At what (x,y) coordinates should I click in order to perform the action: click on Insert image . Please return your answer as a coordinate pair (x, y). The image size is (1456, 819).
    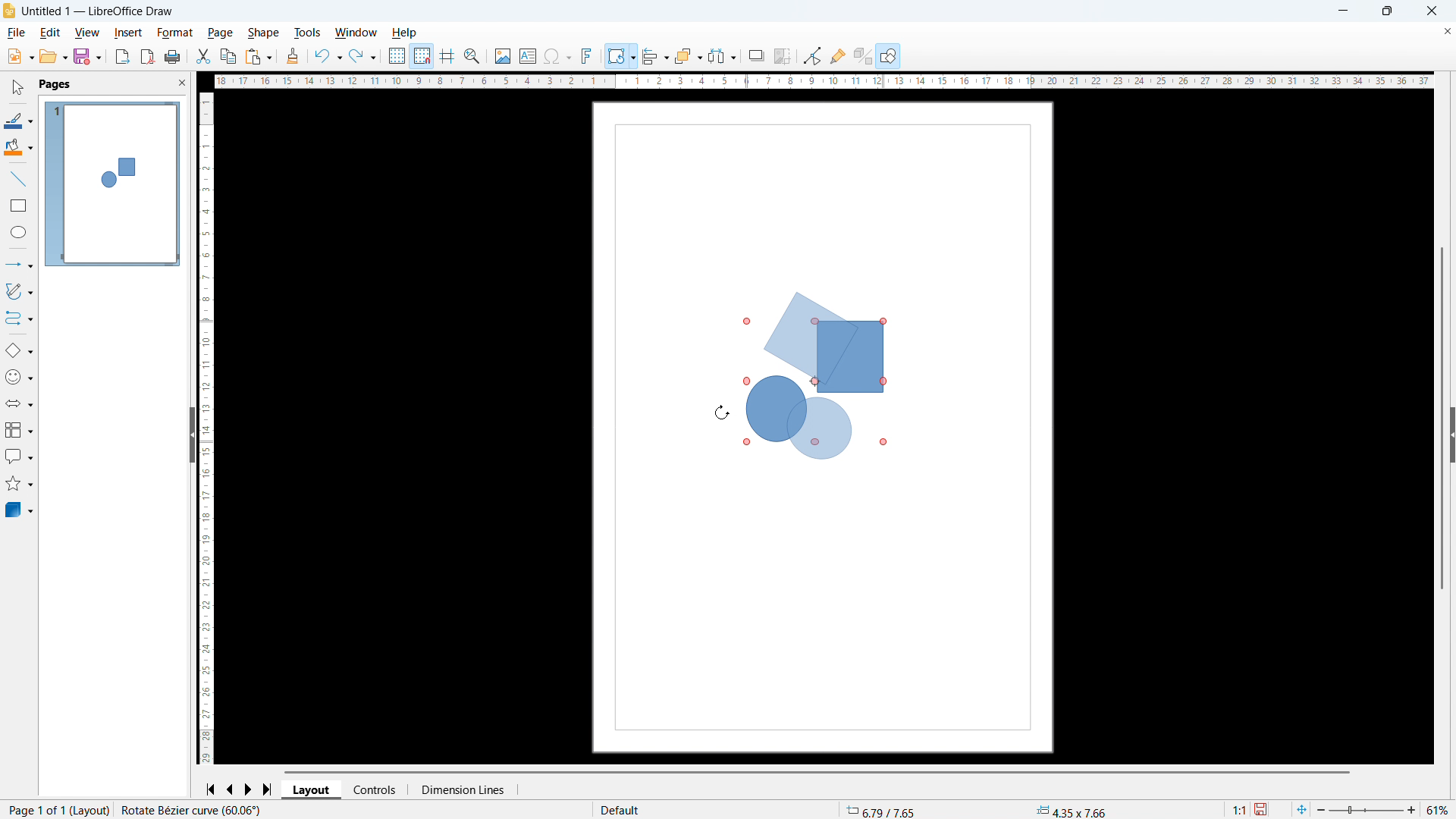
    Looking at the image, I should click on (504, 55).